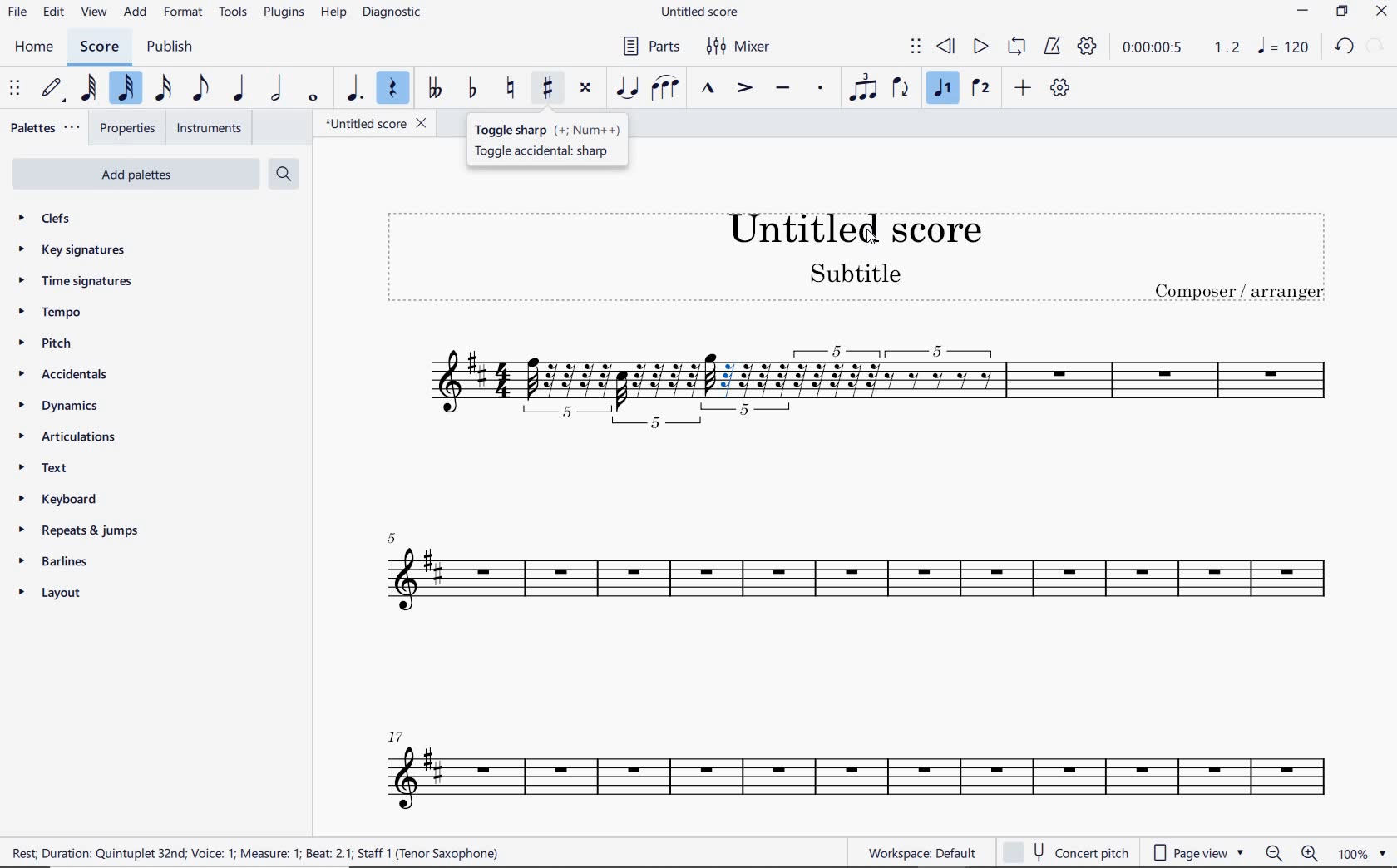 The width and height of the screenshot is (1397, 868). I want to click on rest duration, so click(255, 852).